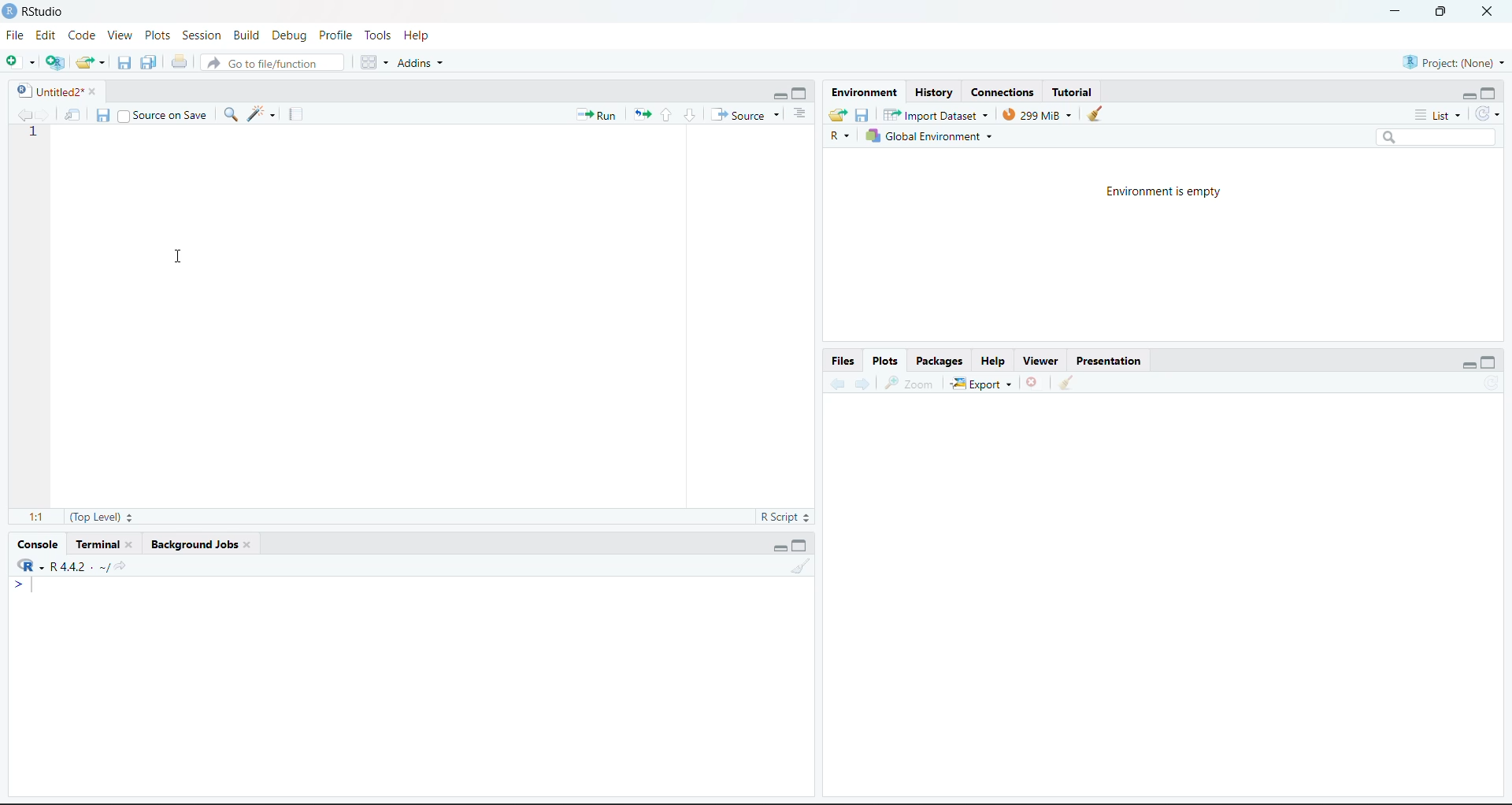 The height and width of the screenshot is (805, 1512). I want to click on Presentation, so click(1110, 361).